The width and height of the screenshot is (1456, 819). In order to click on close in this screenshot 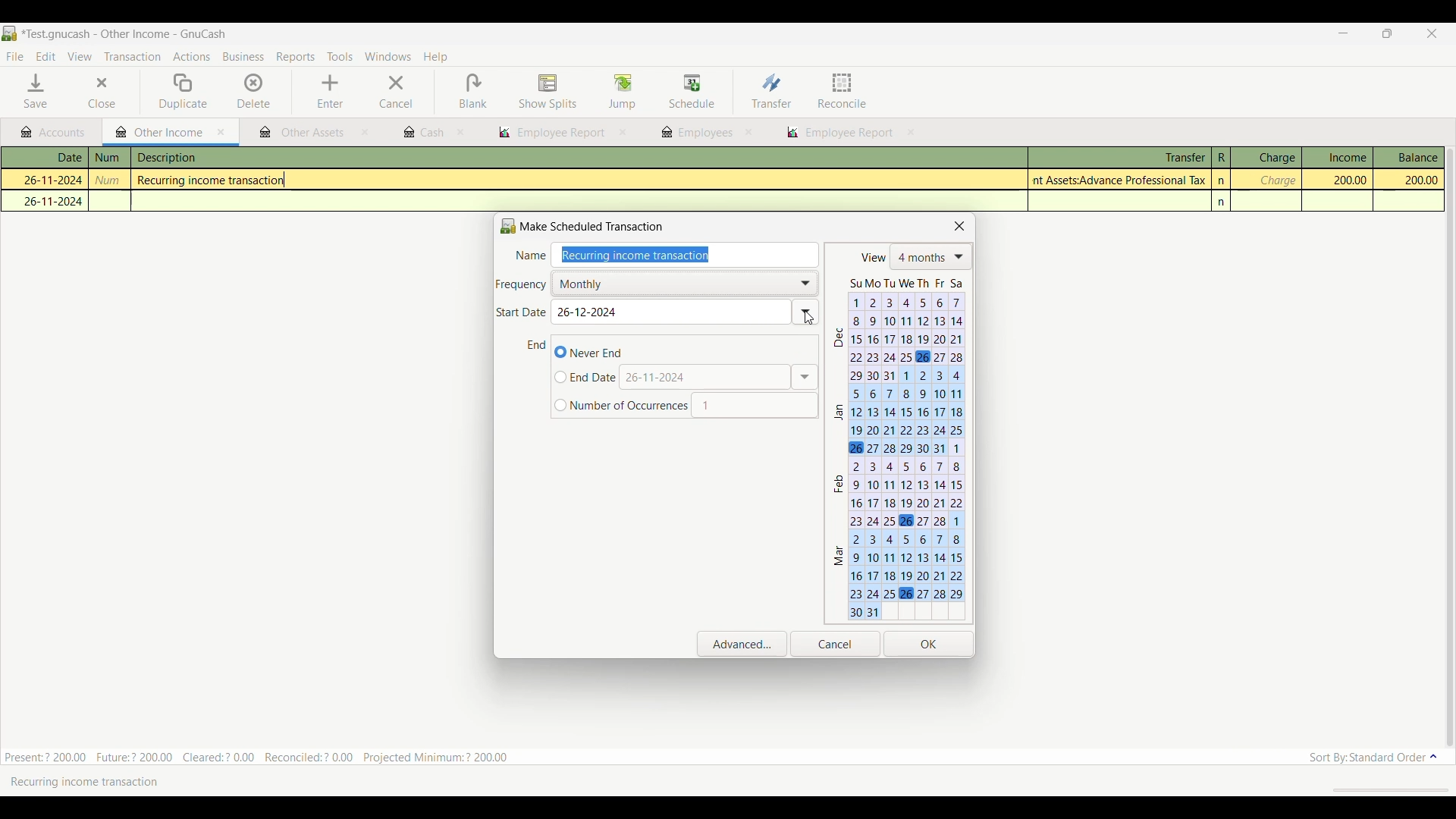, I will do `click(748, 132)`.